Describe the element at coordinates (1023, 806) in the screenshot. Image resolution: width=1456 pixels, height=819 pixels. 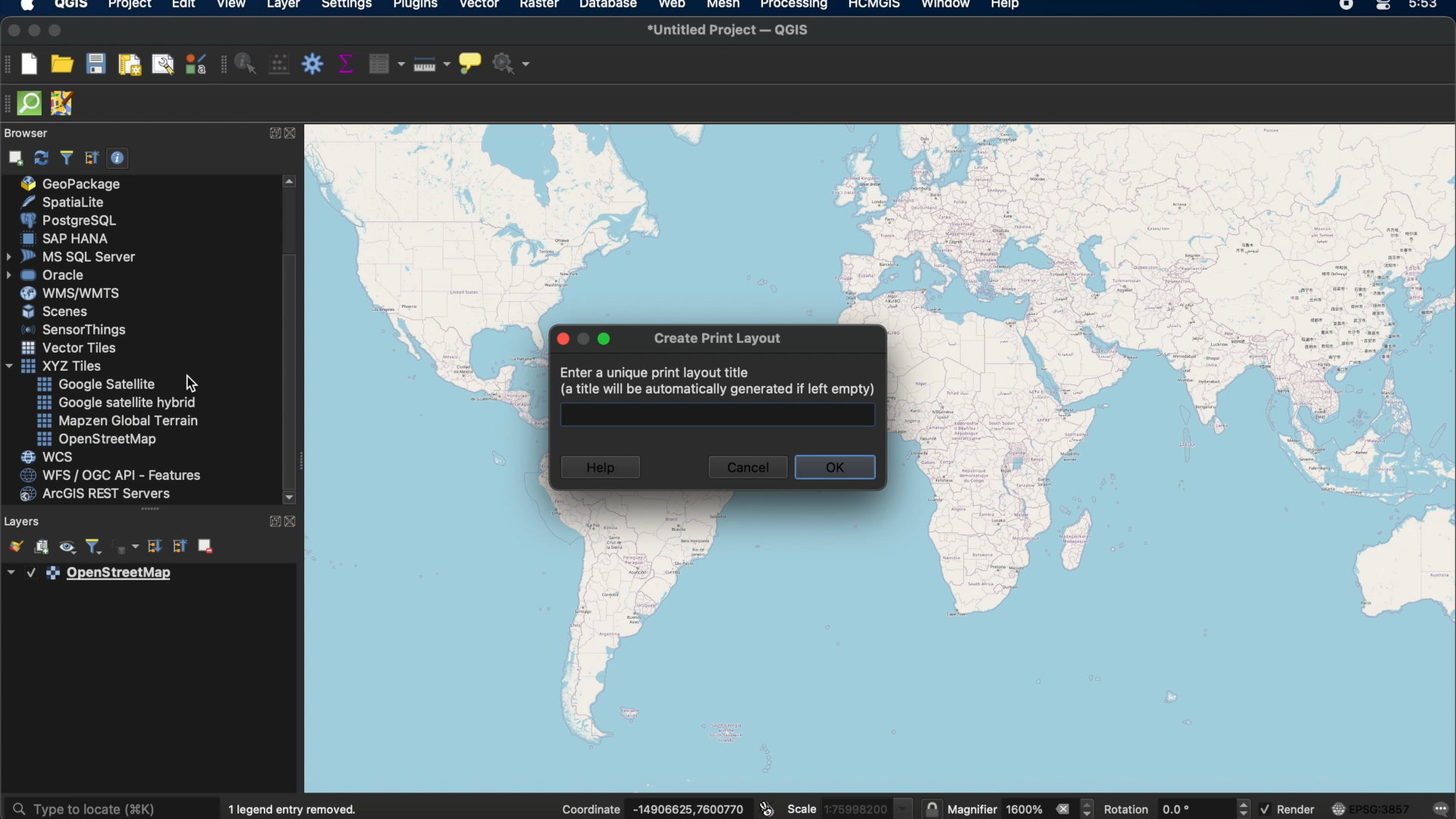
I see `magnifier` at that location.